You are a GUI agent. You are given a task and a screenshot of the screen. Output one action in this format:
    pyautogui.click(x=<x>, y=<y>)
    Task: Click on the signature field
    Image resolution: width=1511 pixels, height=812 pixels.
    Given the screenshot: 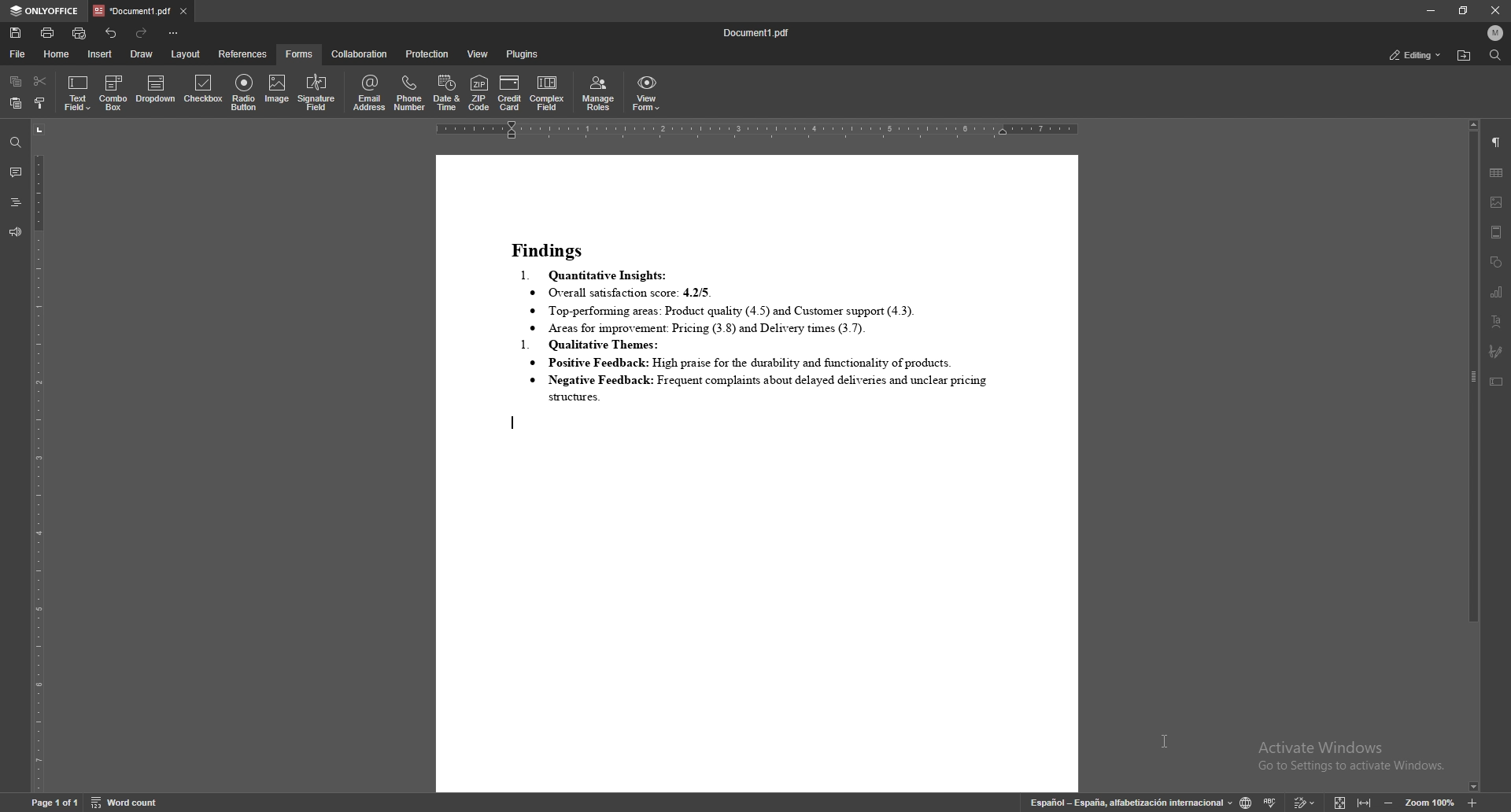 What is the action you would take?
    pyautogui.click(x=316, y=94)
    